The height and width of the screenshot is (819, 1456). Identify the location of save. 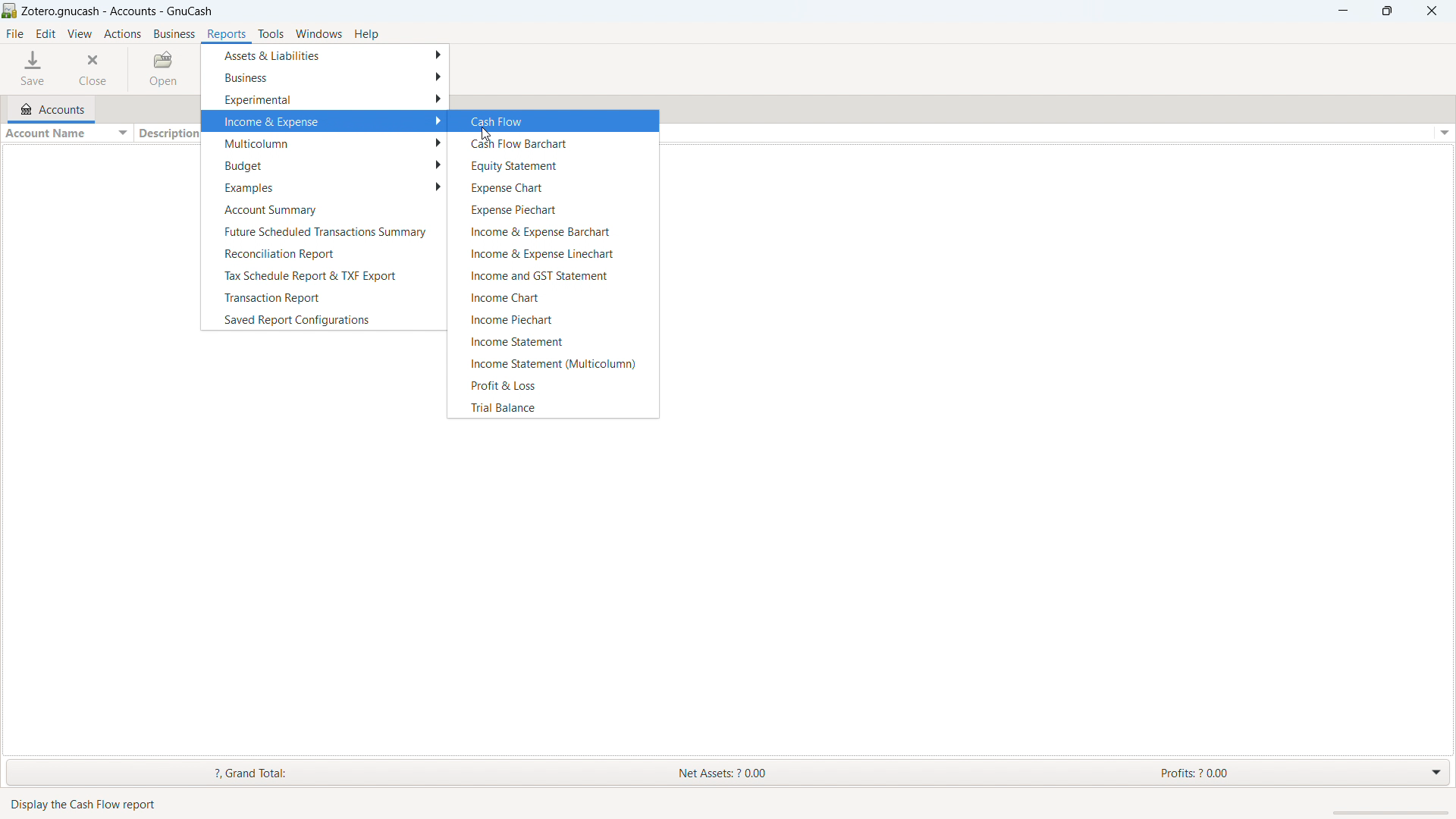
(33, 69).